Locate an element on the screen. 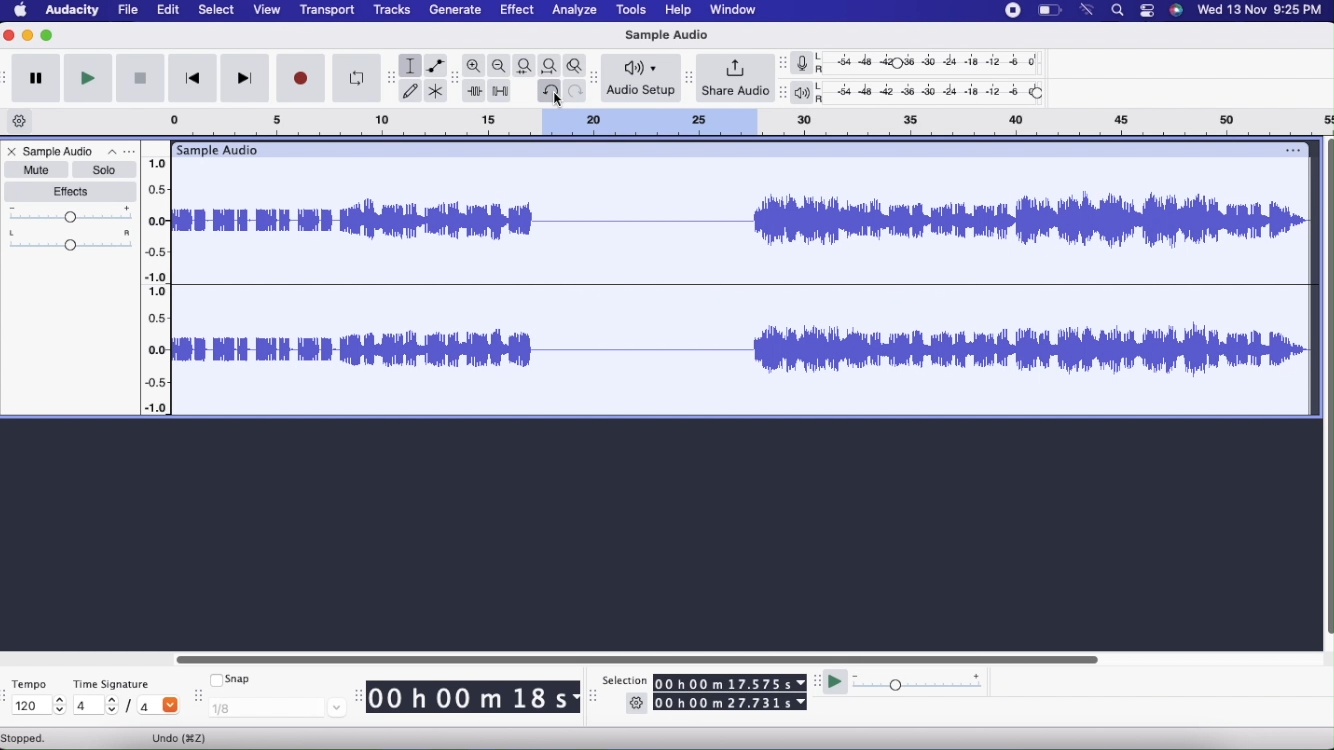 Image resolution: width=1334 pixels, height=750 pixels. Solo is located at coordinates (106, 170).